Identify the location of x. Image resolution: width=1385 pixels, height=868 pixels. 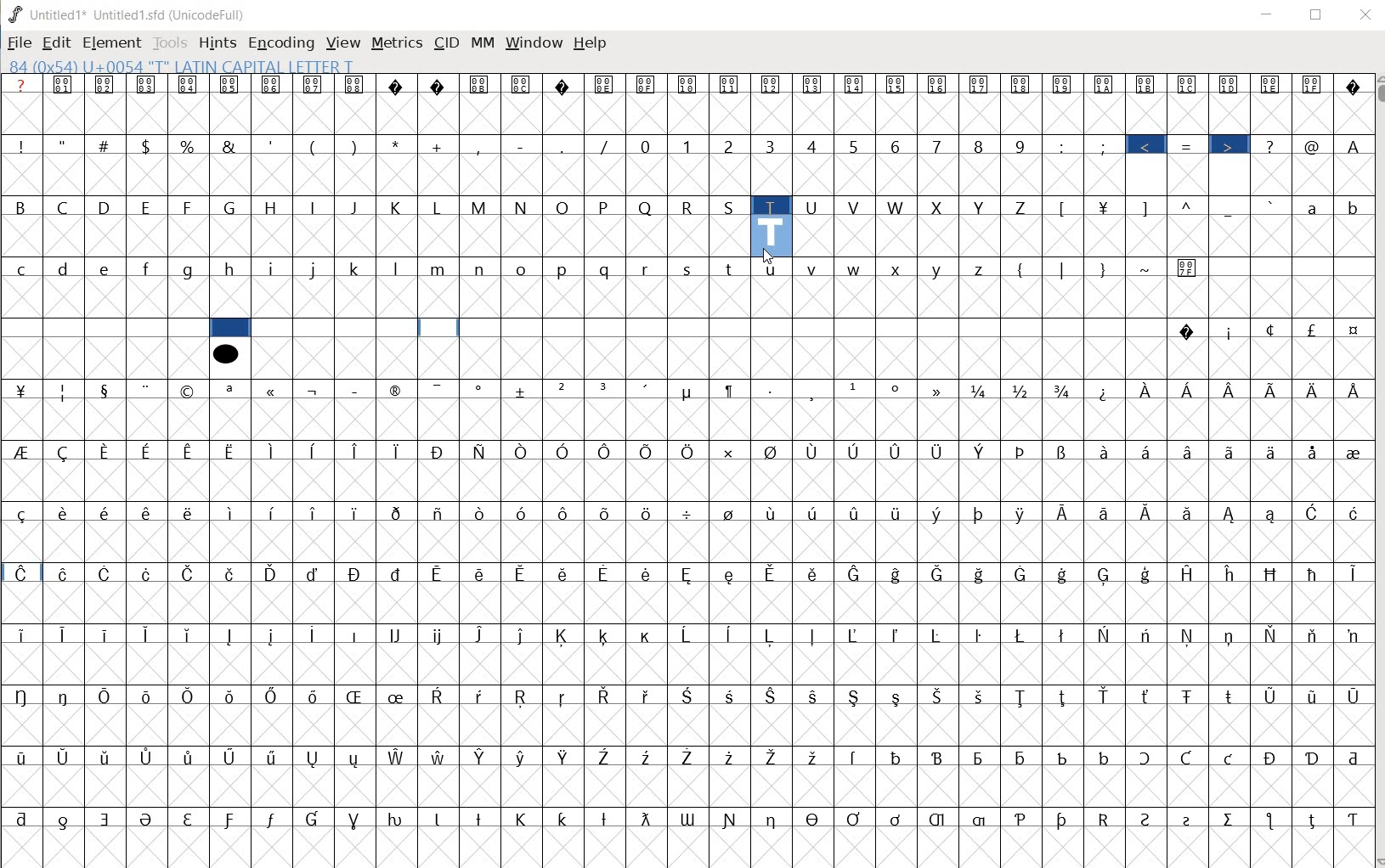
(898, 268).